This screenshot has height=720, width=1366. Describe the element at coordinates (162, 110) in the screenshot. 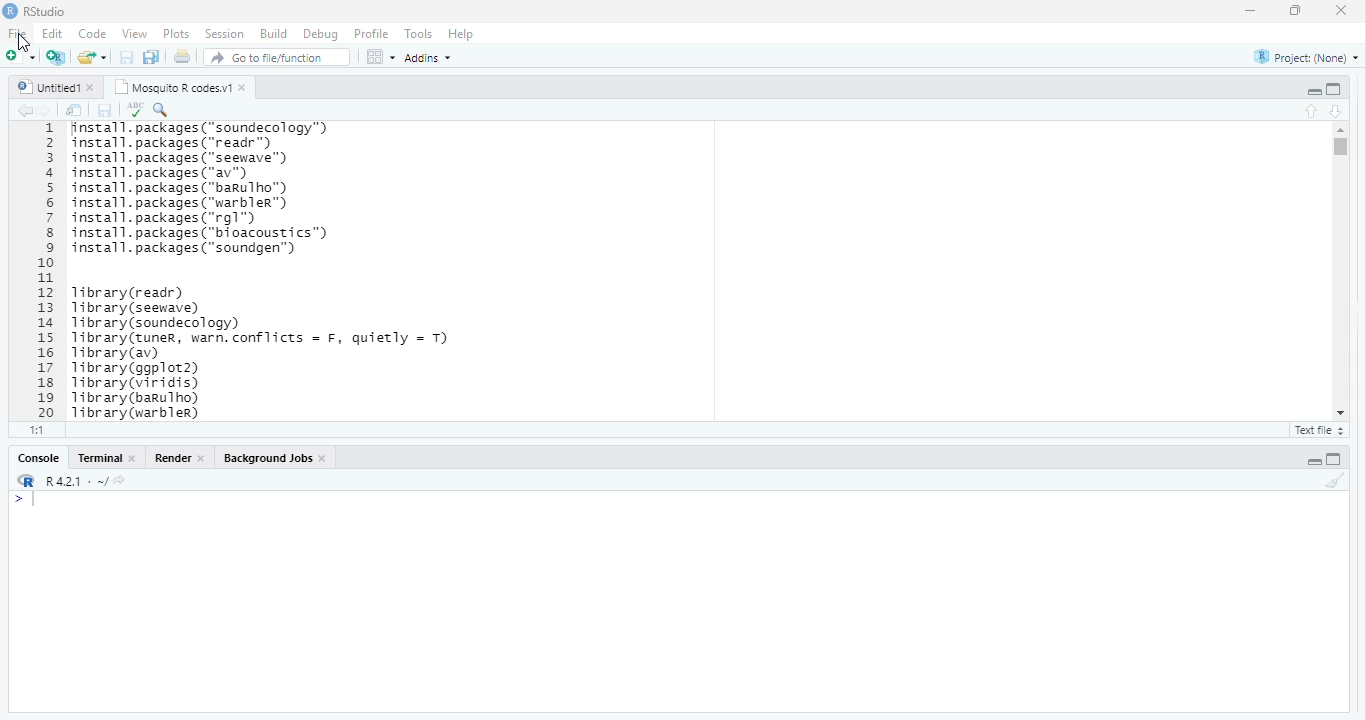

I see `search` at that location.